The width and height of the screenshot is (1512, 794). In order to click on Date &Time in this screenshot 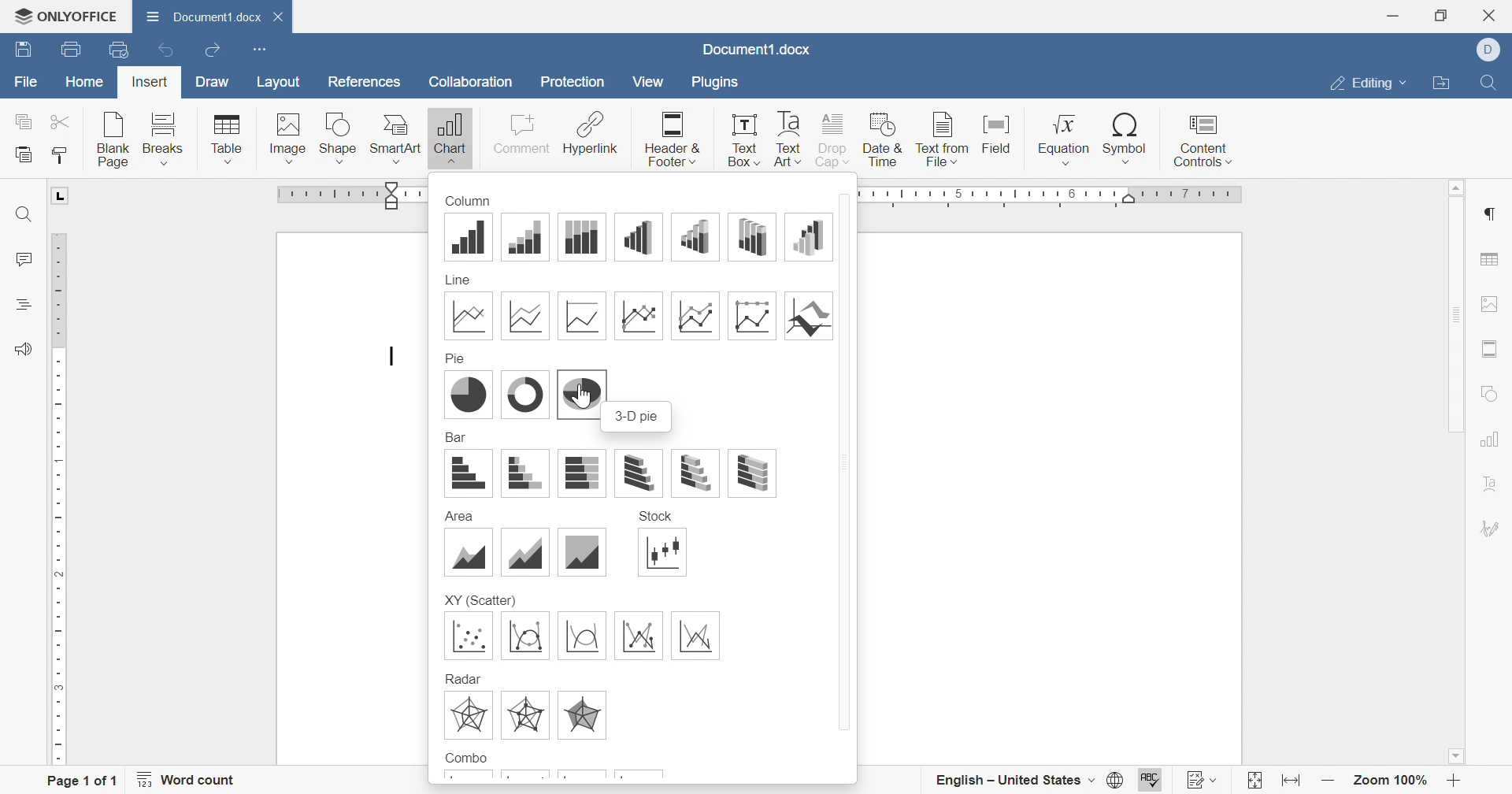, I will do `click(883, 139)`.